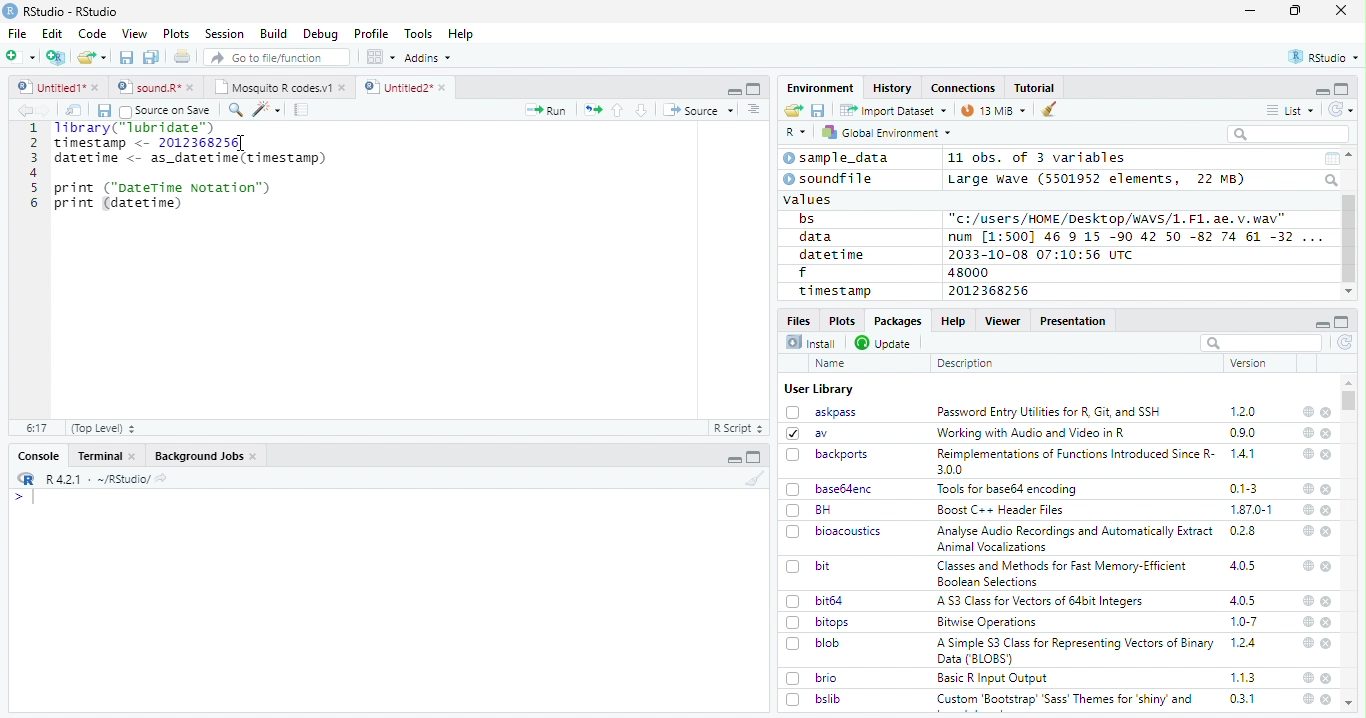 This screenshot has height=718, width=1366. What do you see at coordinates (1243, 677) in the screenshot?
I see `1.1.3` at bounding box center [1243, 677].